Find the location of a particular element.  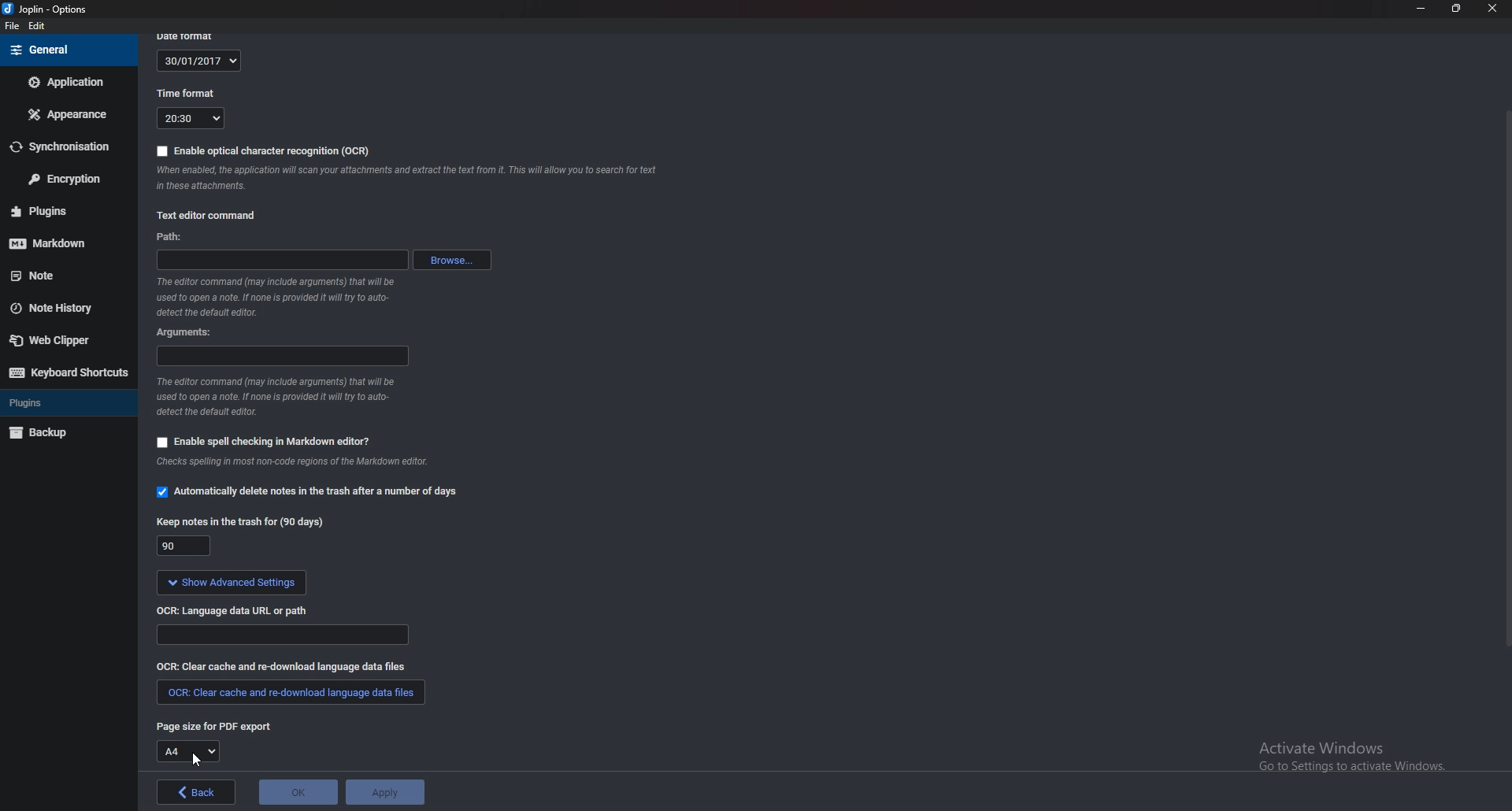

path is located at coordinates (282, 261).